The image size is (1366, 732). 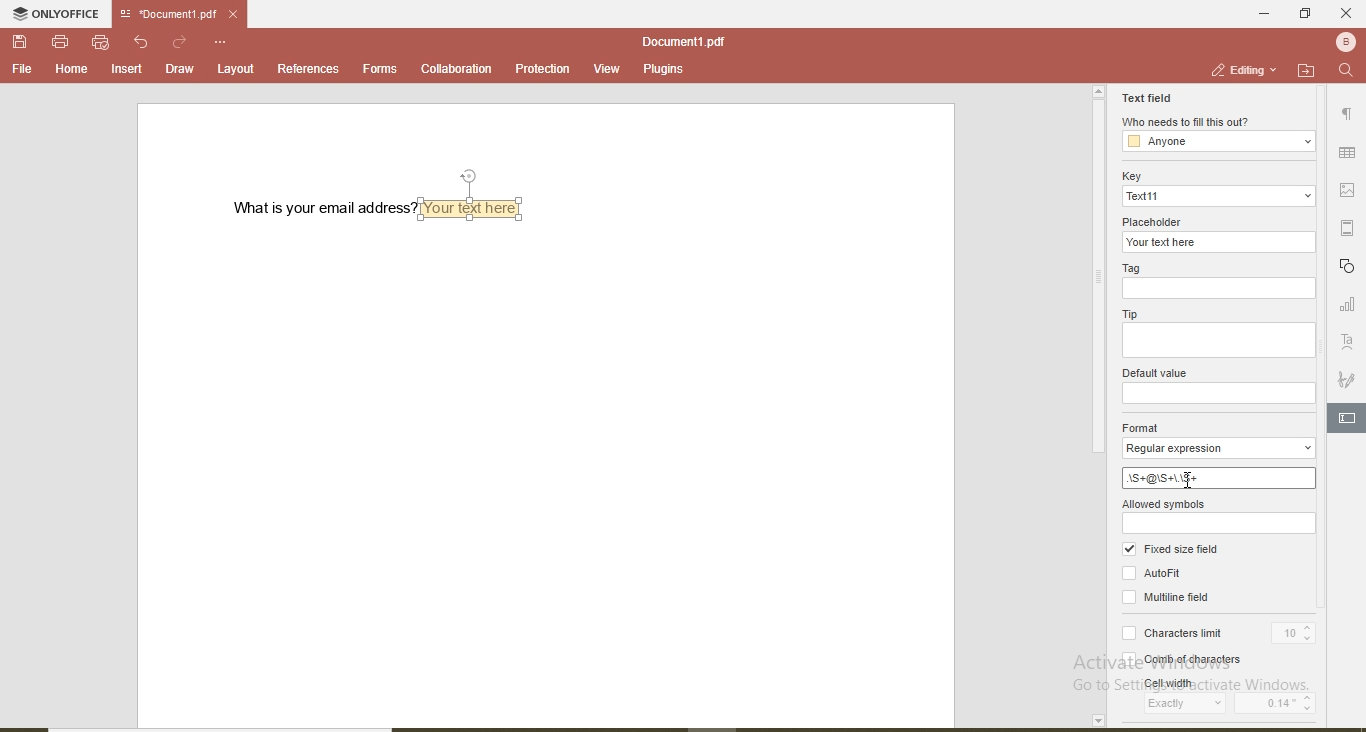 I want to click on find, so click(x=1346, y=71).